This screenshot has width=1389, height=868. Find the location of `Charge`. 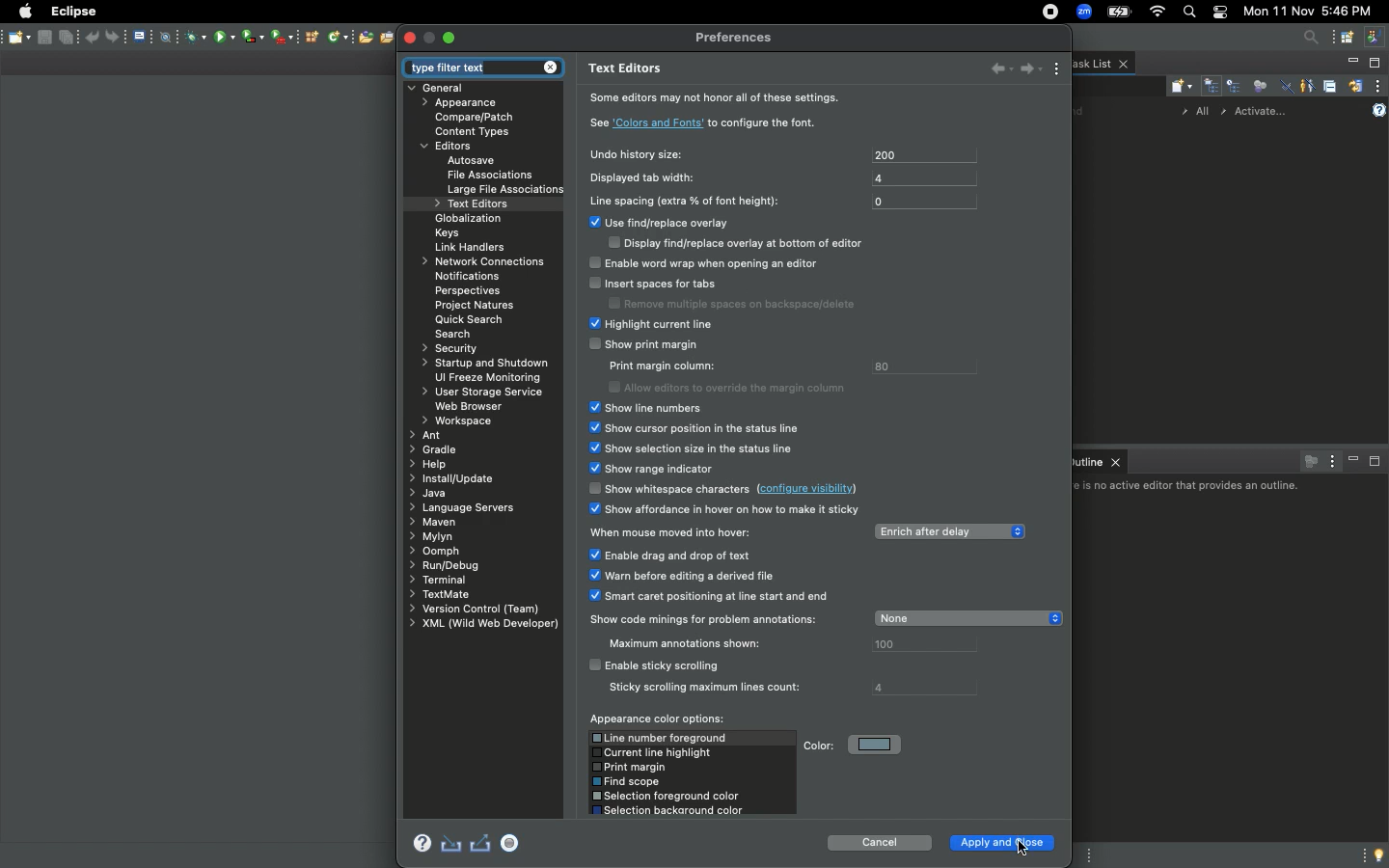

Charge is located at coordinates (1119, 12).